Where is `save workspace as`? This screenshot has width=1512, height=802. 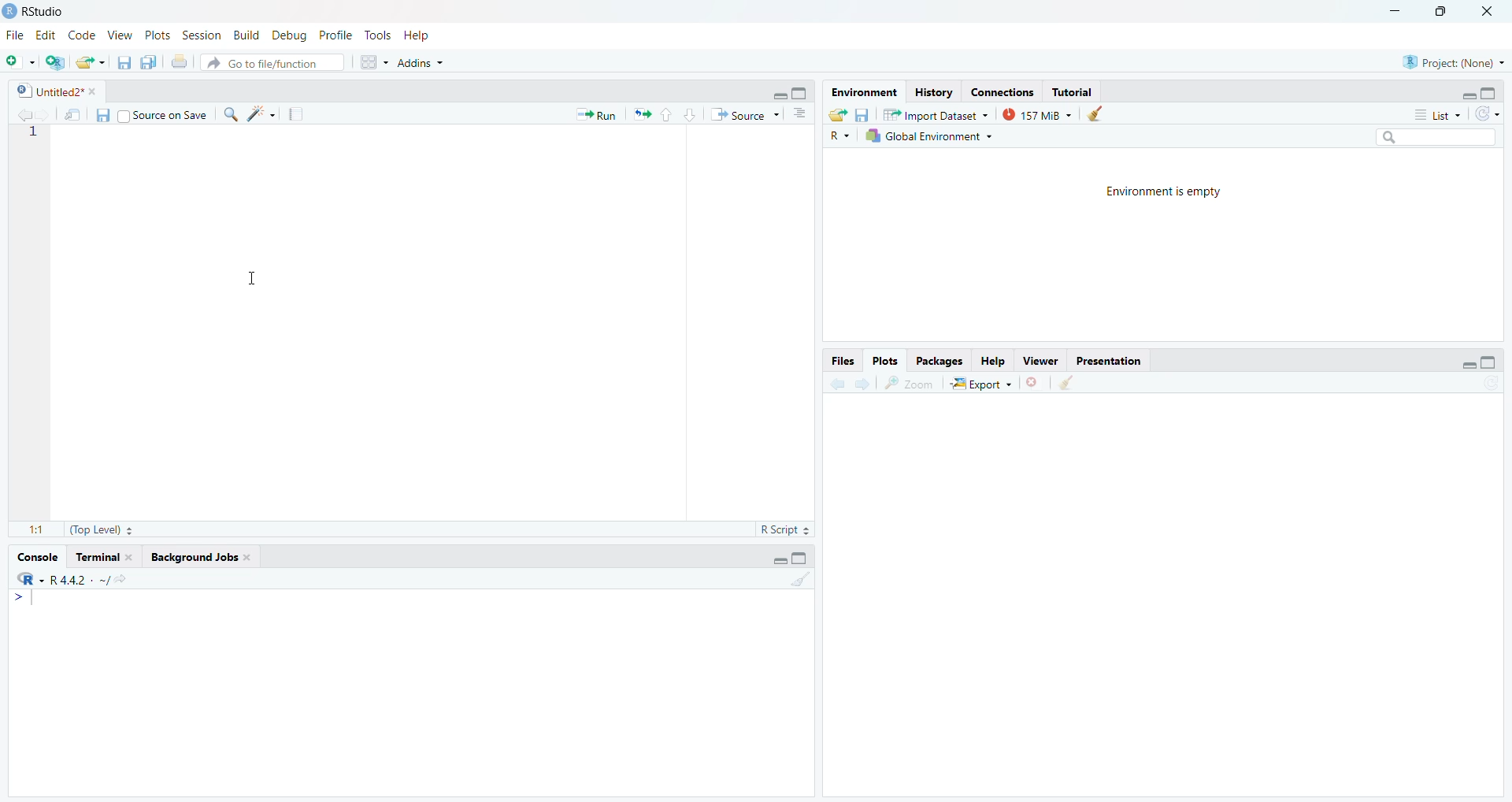 save workspace as is located at coordinates (862, 115).